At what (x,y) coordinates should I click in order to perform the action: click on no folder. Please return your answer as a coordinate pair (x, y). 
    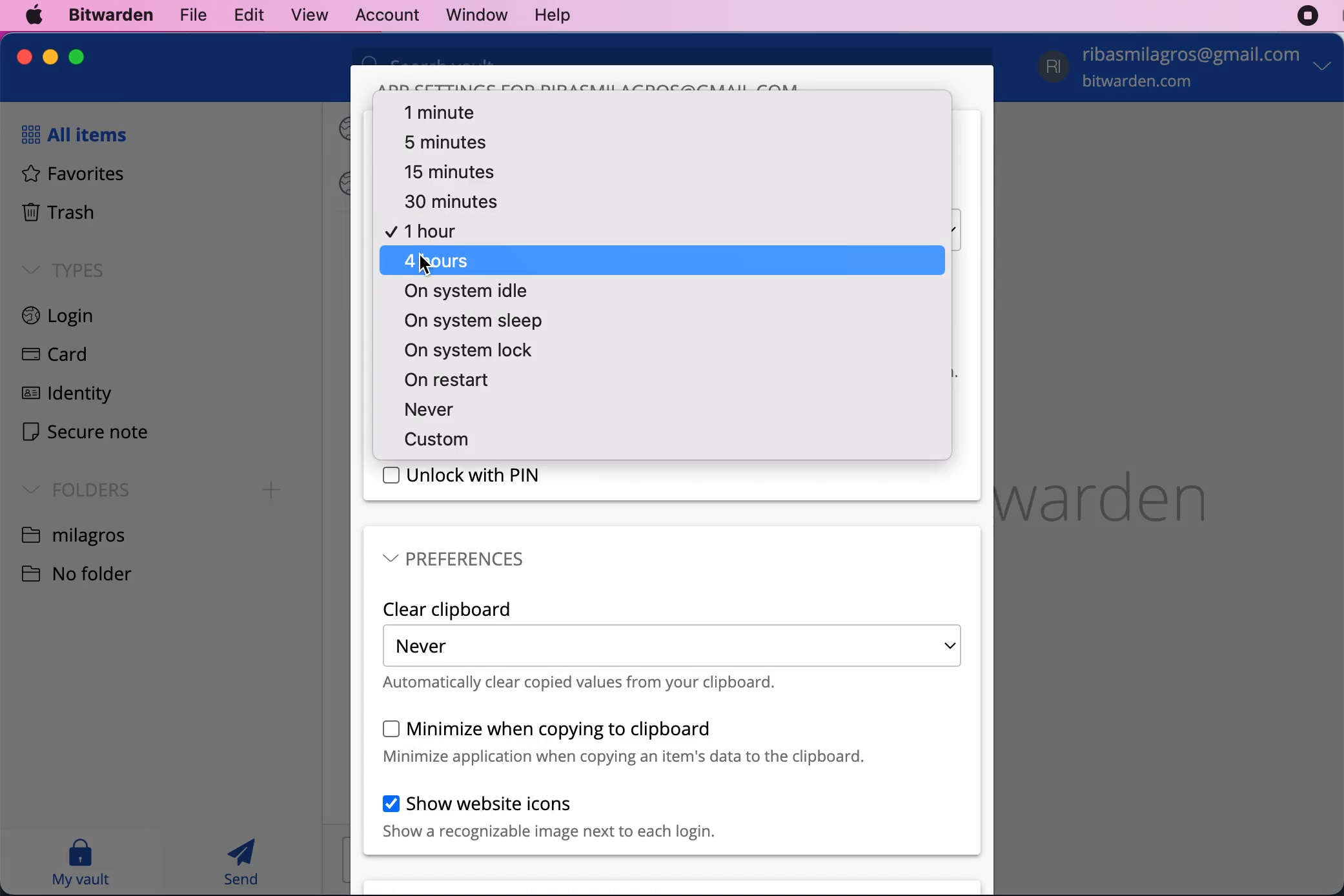
    Looking at the image, I should click on (87, 572).